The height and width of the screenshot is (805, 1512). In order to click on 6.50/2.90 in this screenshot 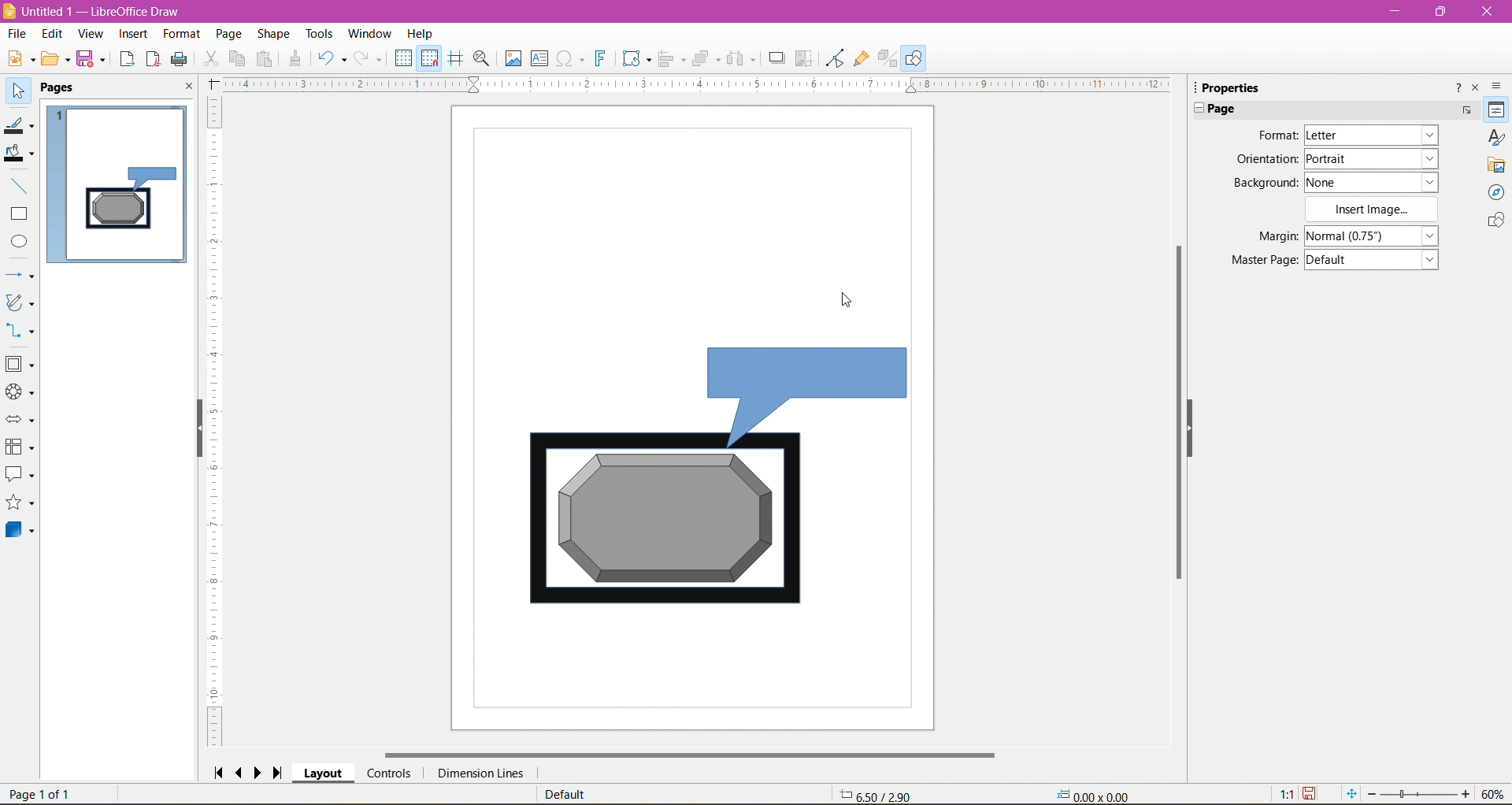, I will do `click(876, 794)`.